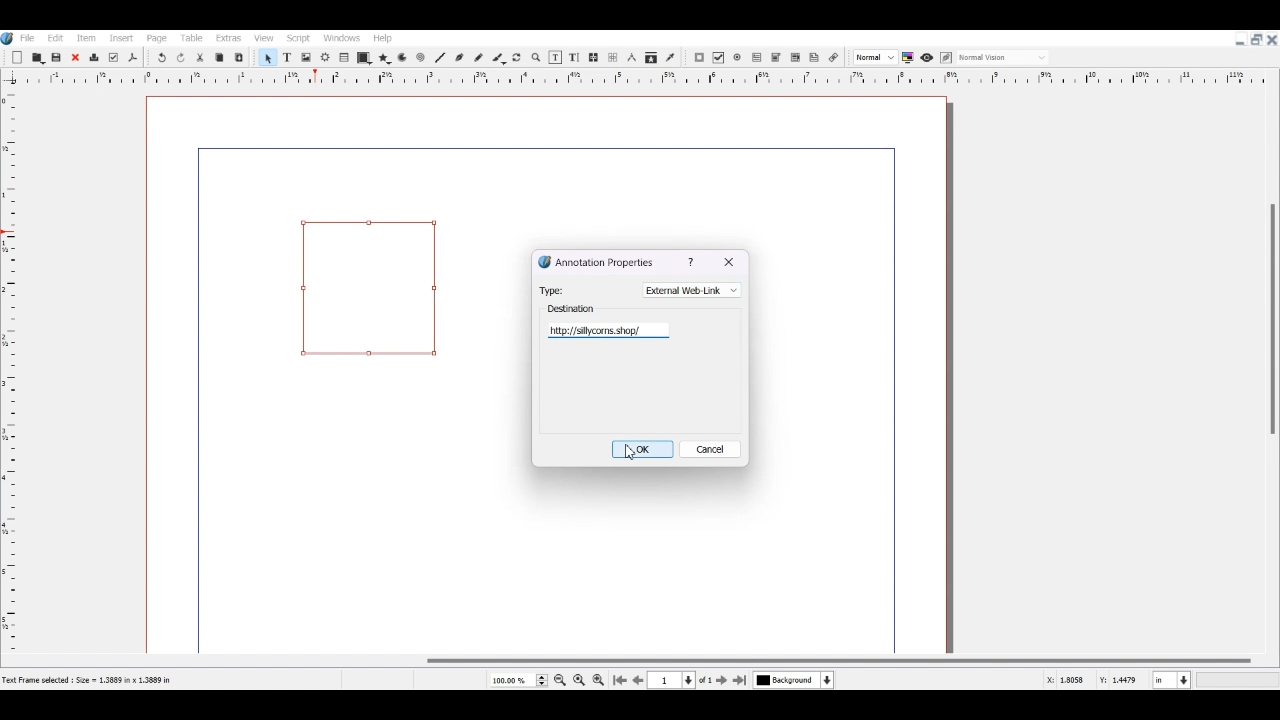  I want to click on Close, so click(75, 58).